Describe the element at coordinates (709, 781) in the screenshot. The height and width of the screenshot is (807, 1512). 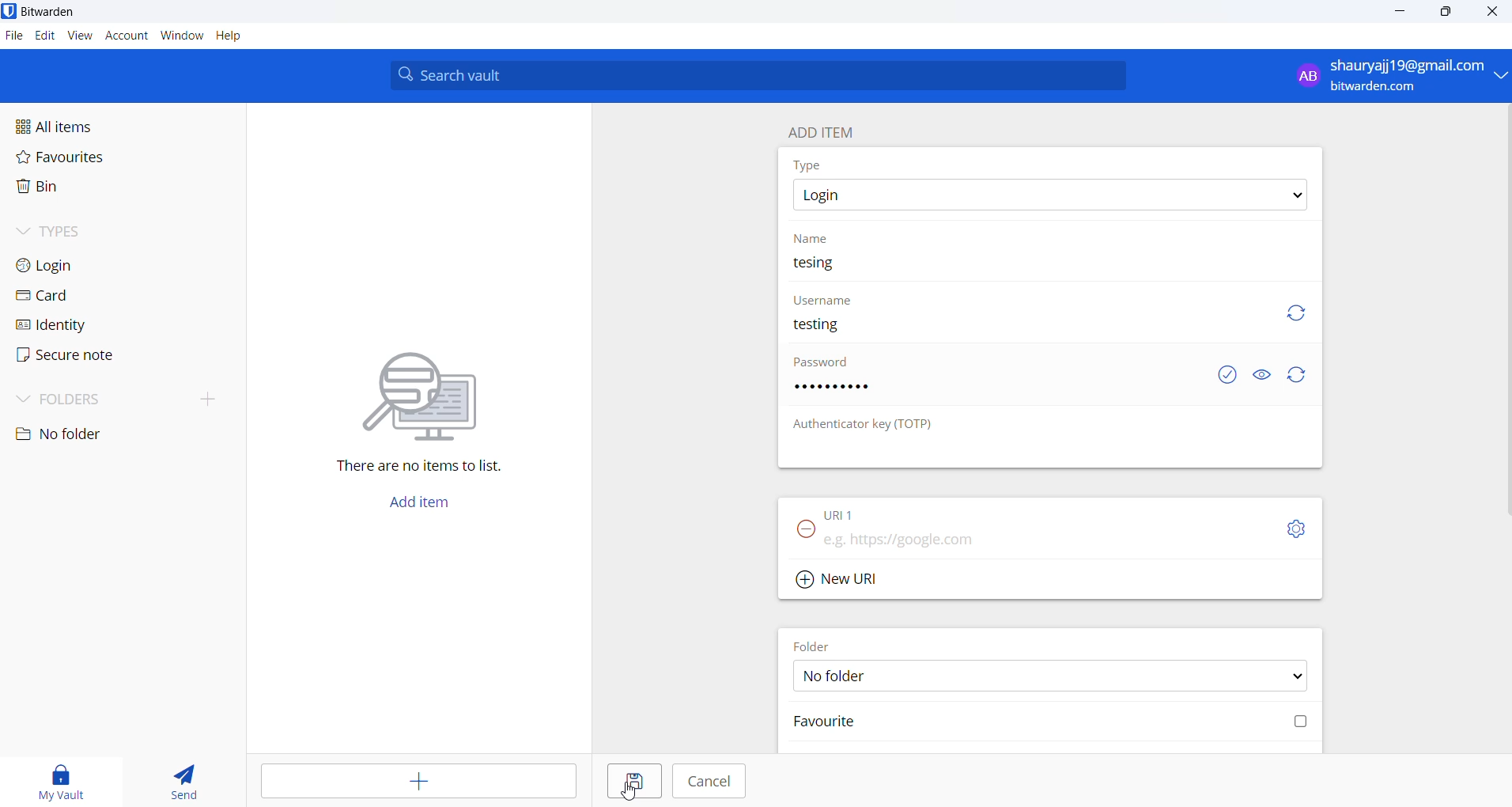
I see `cancel` at that location.